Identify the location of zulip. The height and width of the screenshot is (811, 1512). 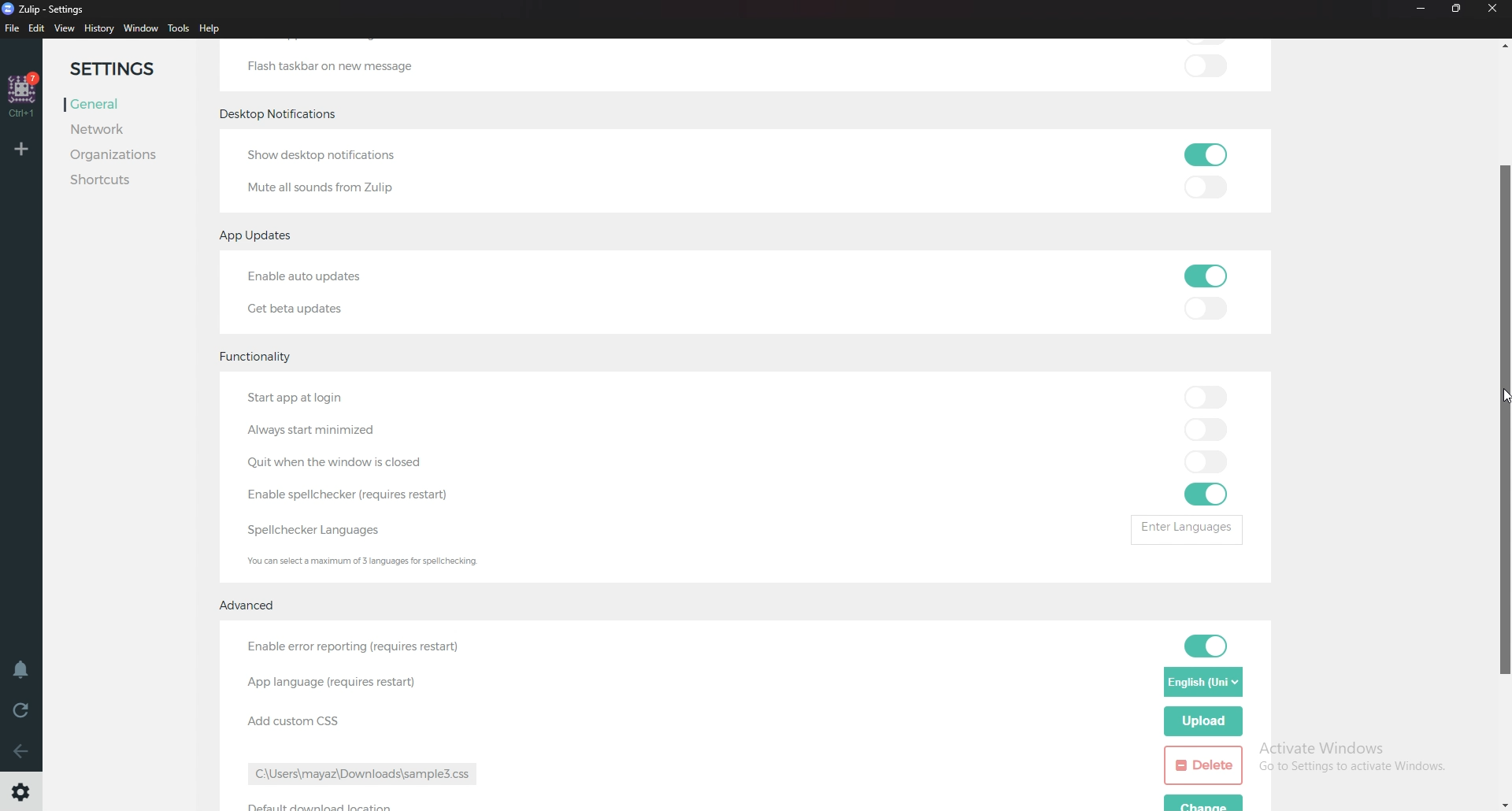
(42, 8).